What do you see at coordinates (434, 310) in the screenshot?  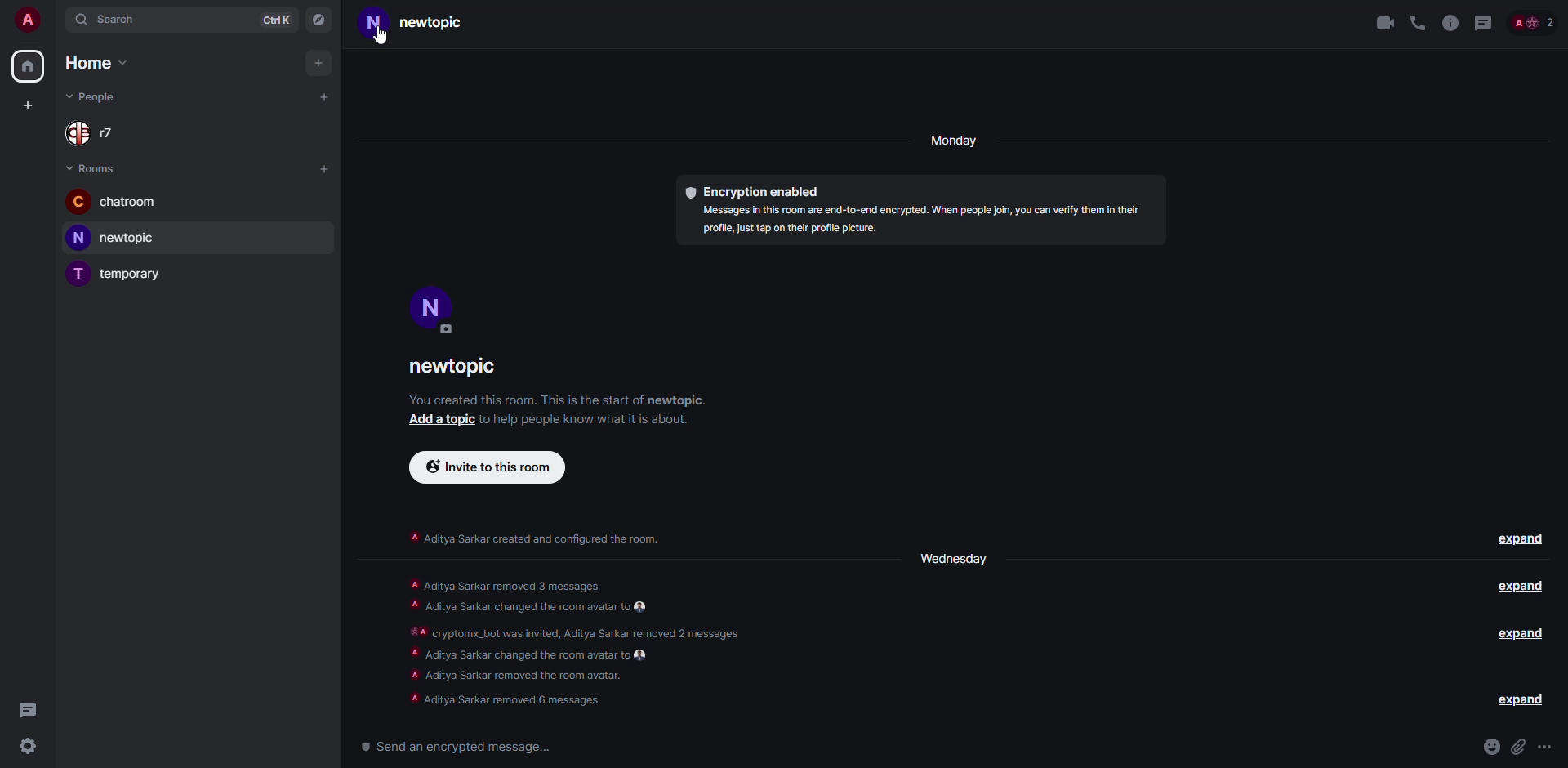 I see `profile` at bounding box center [434, 310].